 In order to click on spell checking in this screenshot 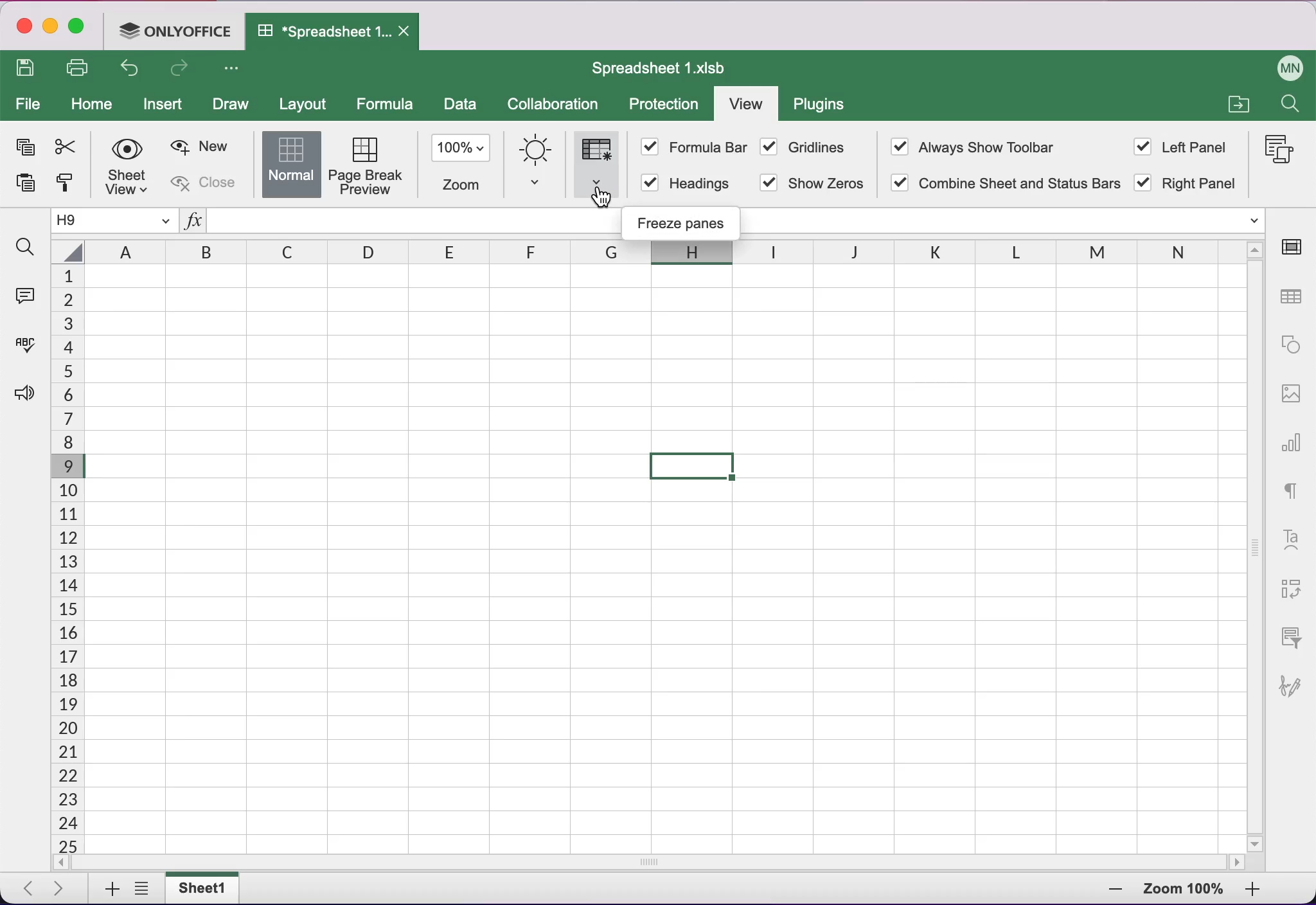, I will do `click(29, 341)`.